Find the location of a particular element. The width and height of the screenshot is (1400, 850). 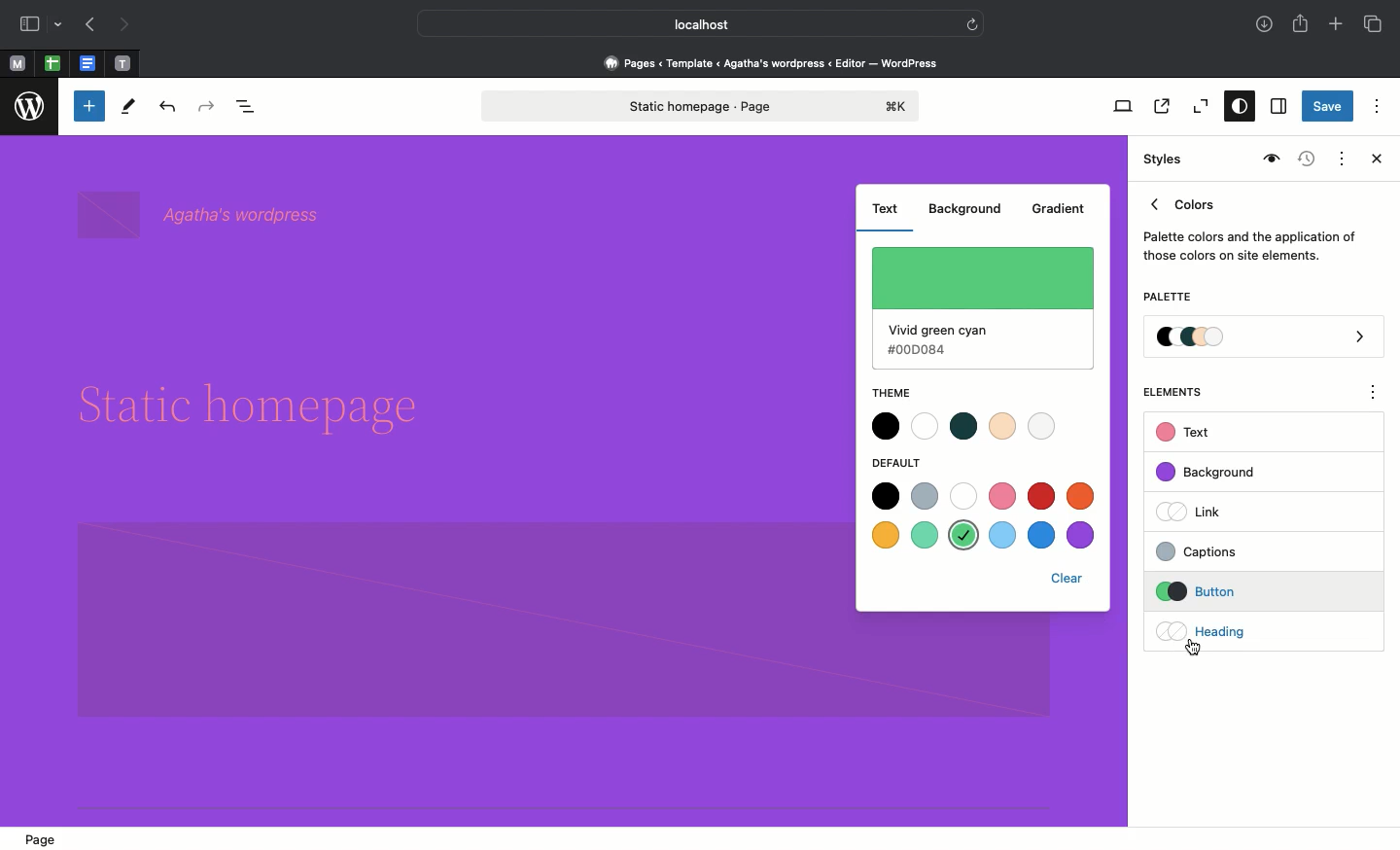

Palette is located at coordinates (1265, 338).